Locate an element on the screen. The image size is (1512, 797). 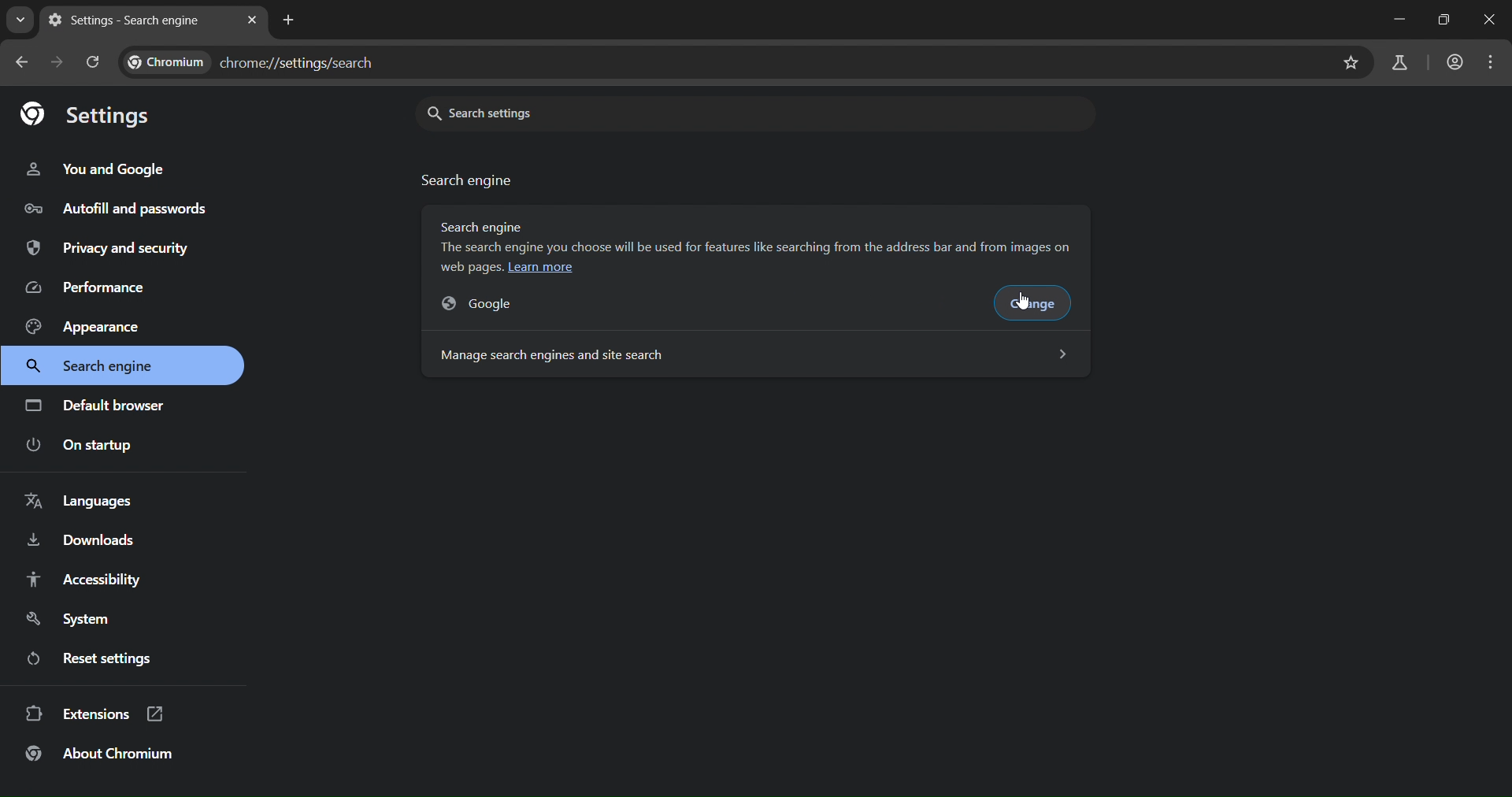
reload page is located at coordinates (94, 63).